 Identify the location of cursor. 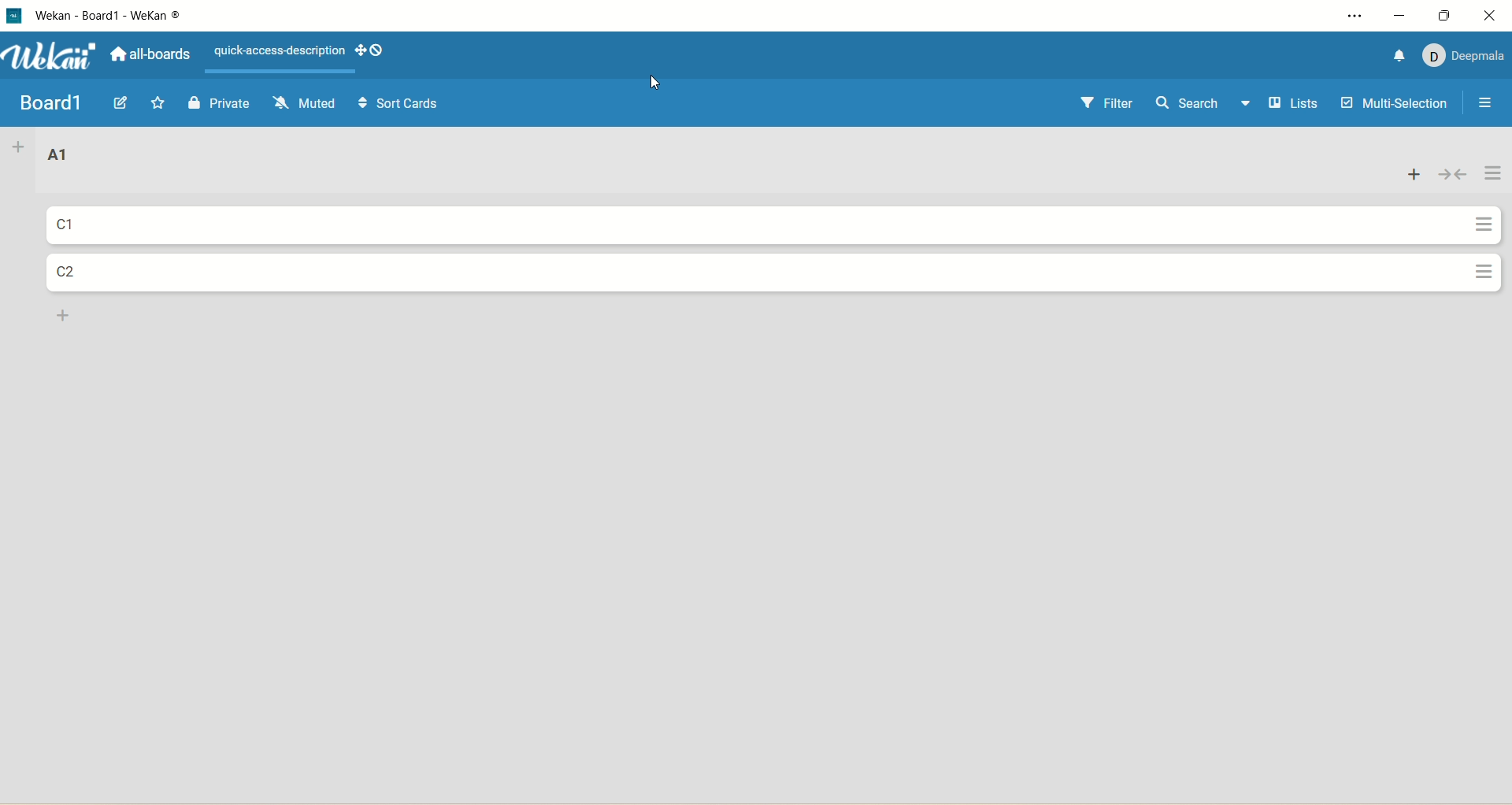
(660, 83).